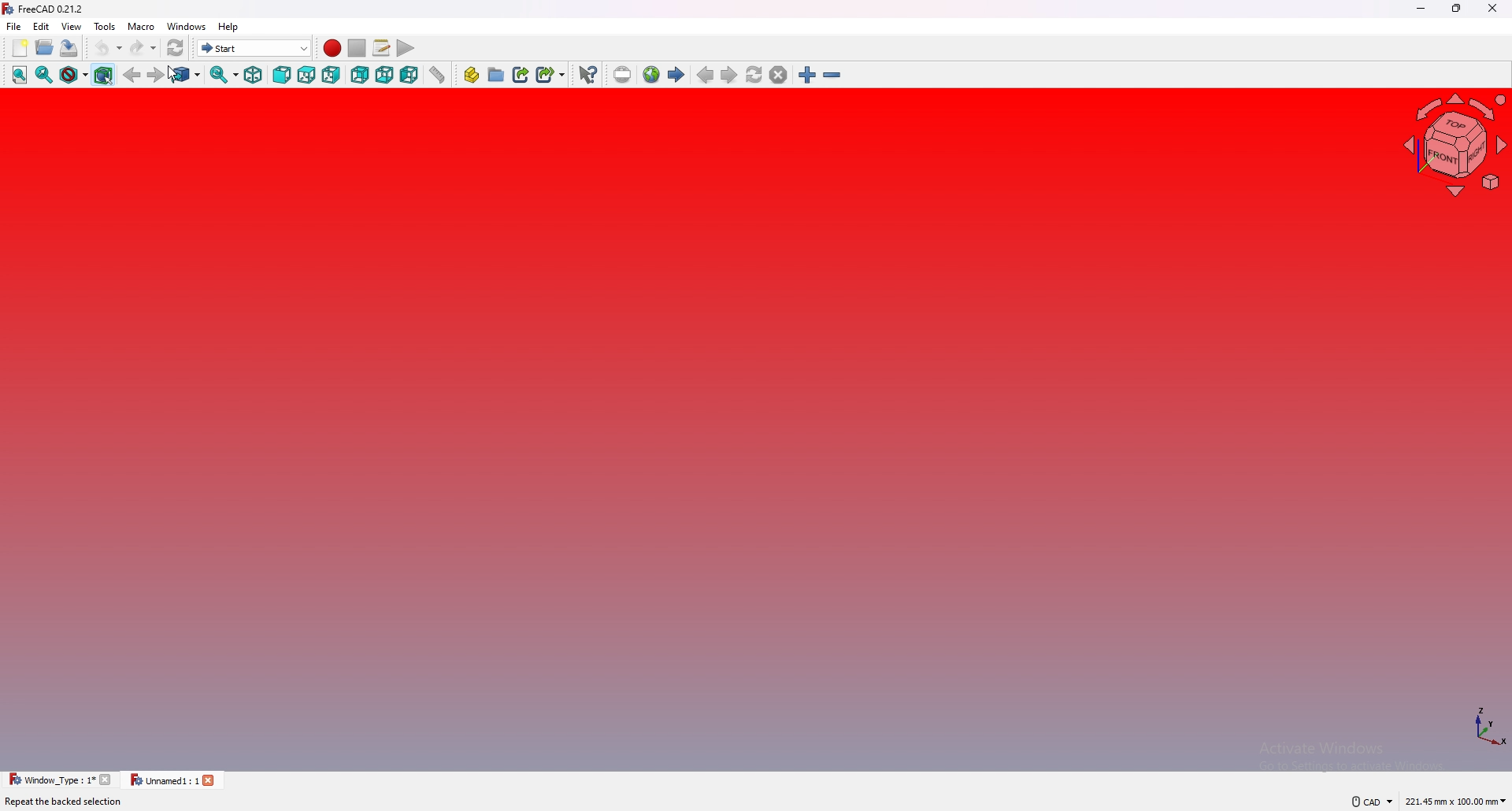  What do you see at coordinates (1457, 9) in the screenshot?
I see `resize` at bounding box center [1457, 9].